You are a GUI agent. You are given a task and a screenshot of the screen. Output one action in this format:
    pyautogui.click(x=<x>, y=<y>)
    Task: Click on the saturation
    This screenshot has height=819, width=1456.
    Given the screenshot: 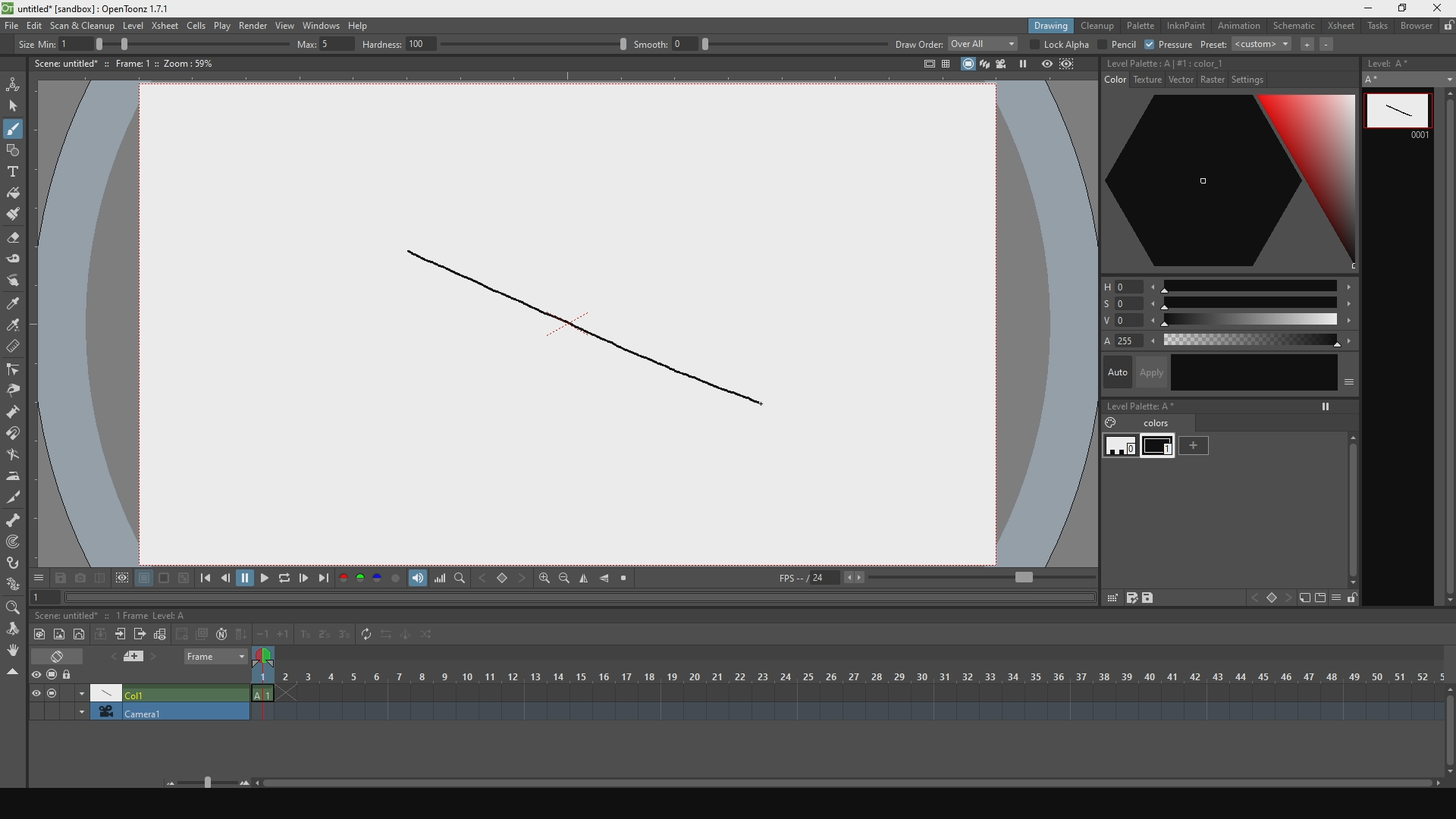 What is the action you would take?
    pyautogui.click(x=1225, y=304)
    